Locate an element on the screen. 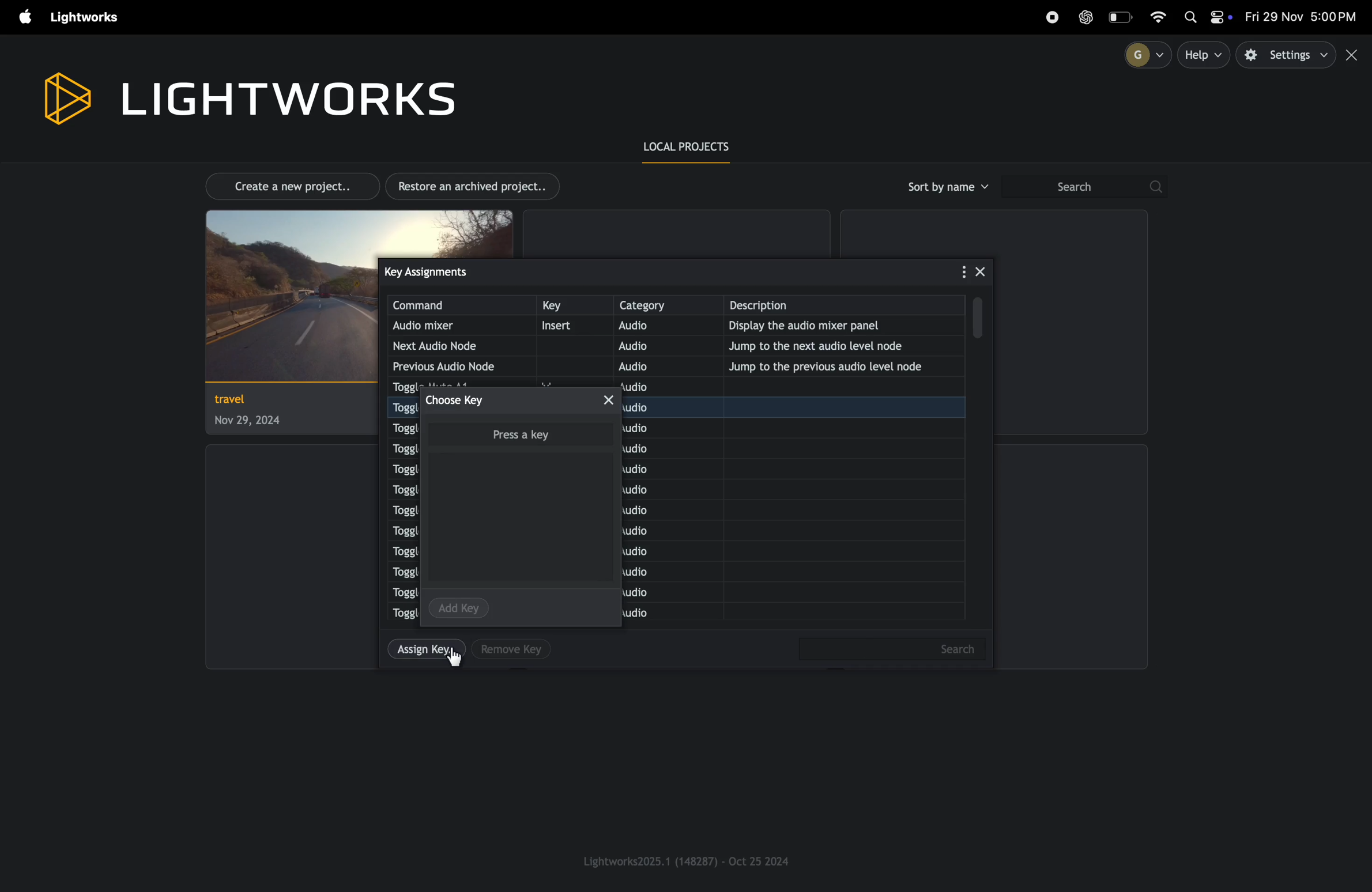  light works version is located at coordinates (688, 860).